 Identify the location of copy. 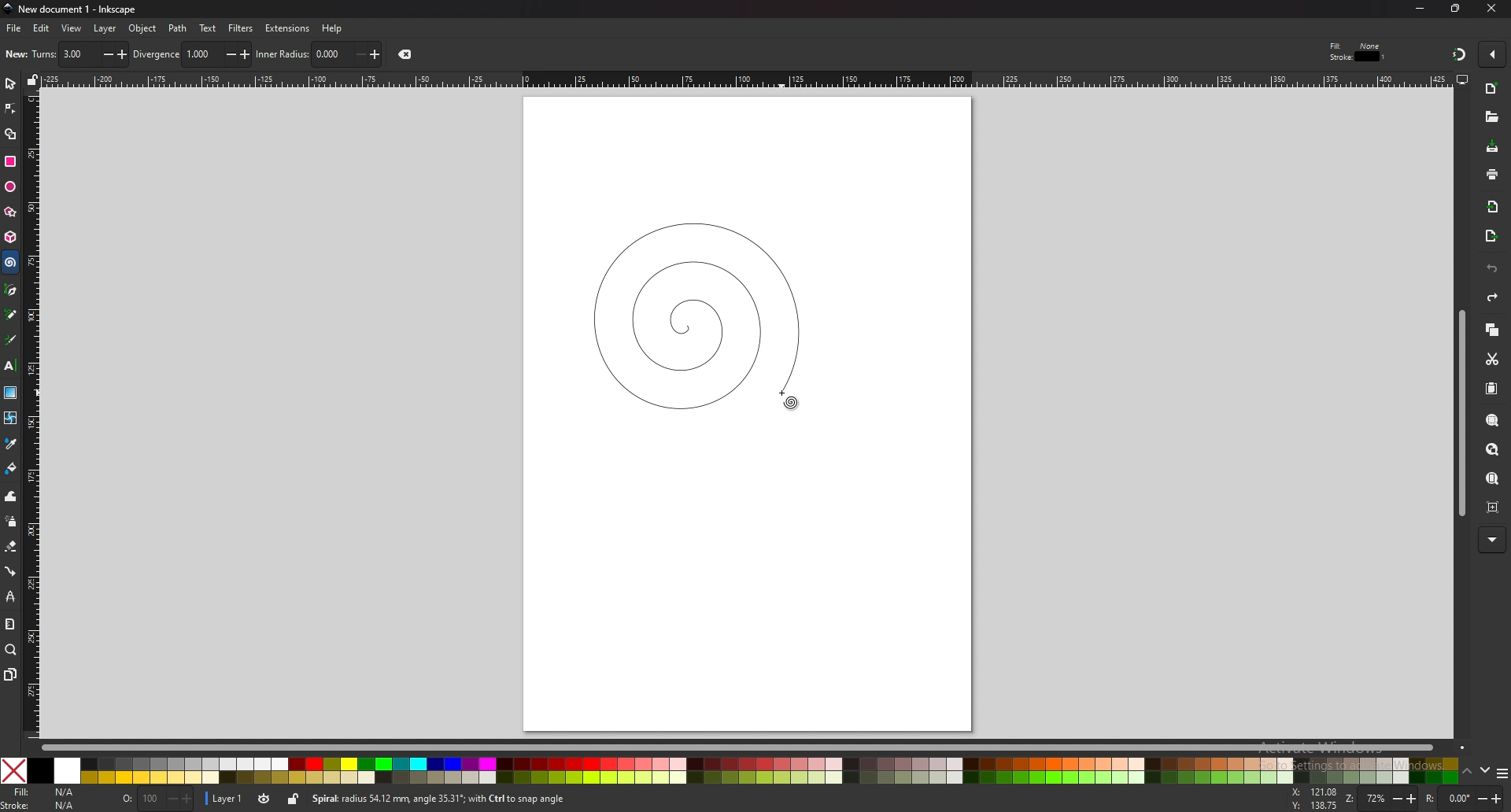
(1492, 329).